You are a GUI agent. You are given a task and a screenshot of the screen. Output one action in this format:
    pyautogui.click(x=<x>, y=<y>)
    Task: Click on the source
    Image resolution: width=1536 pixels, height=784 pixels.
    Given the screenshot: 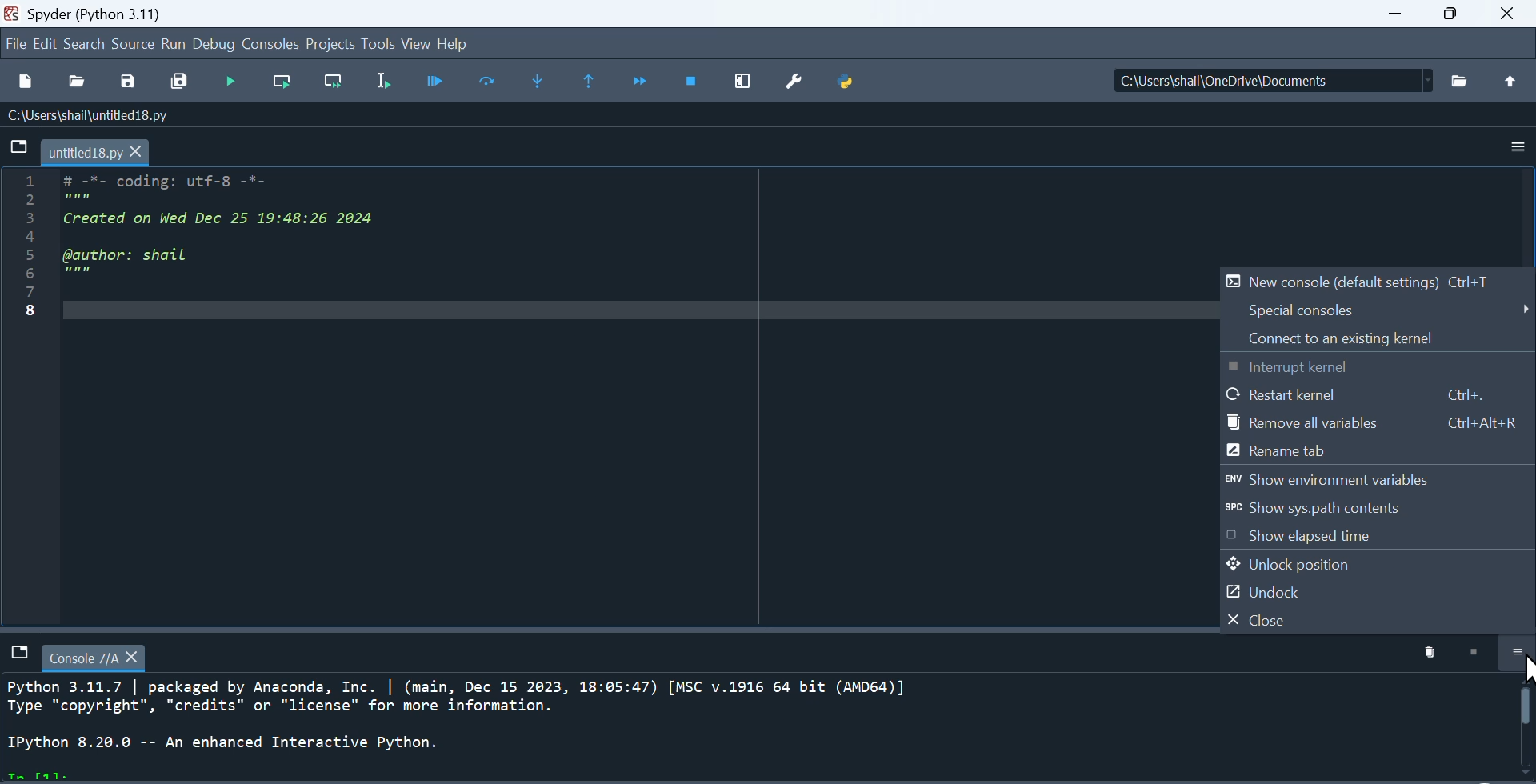 What is the action you would take?
    pyautogui.click(x=131, y=46)
    